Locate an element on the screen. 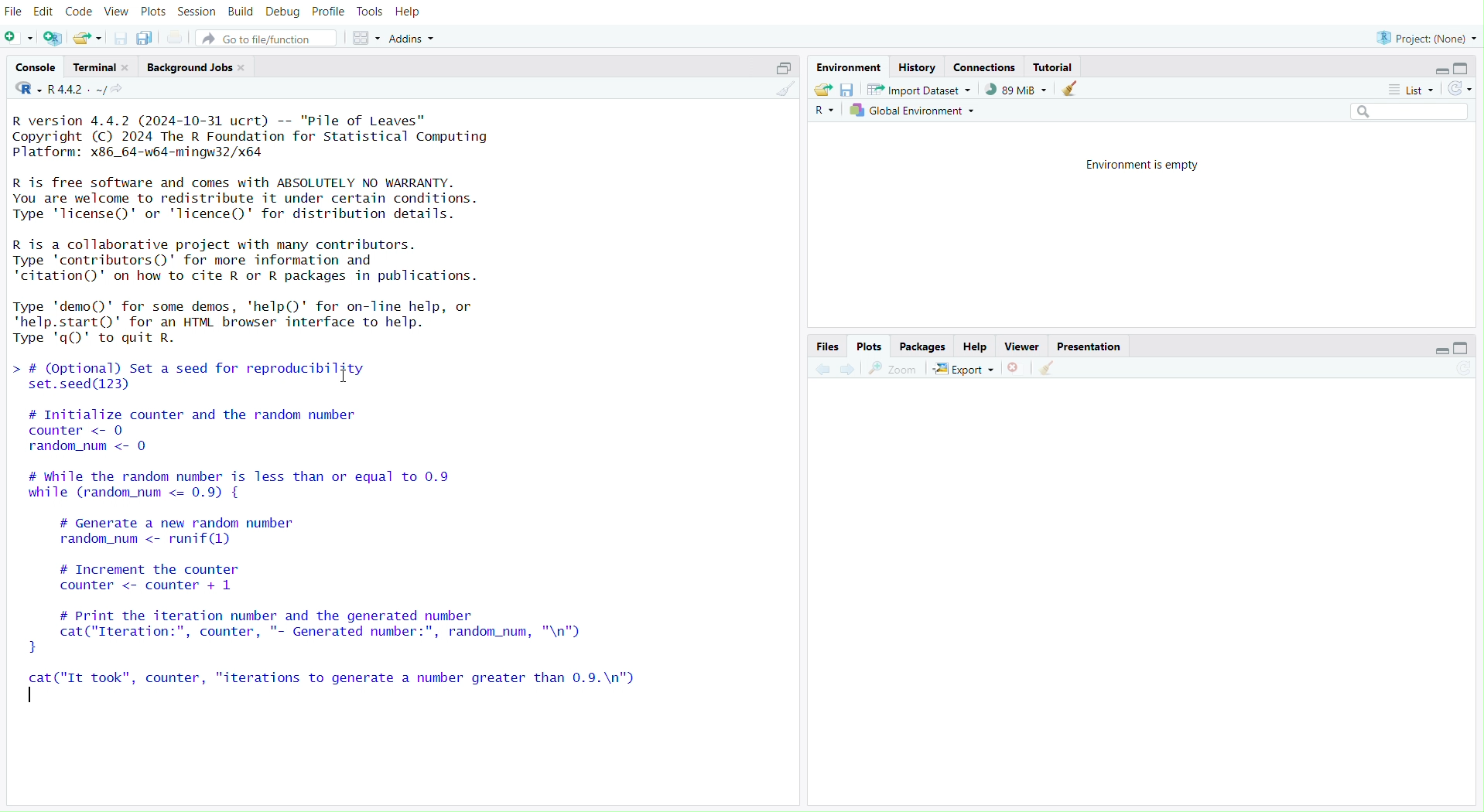 The image size is (1484, 812). Load workspace is located at coordinates (824, 90).